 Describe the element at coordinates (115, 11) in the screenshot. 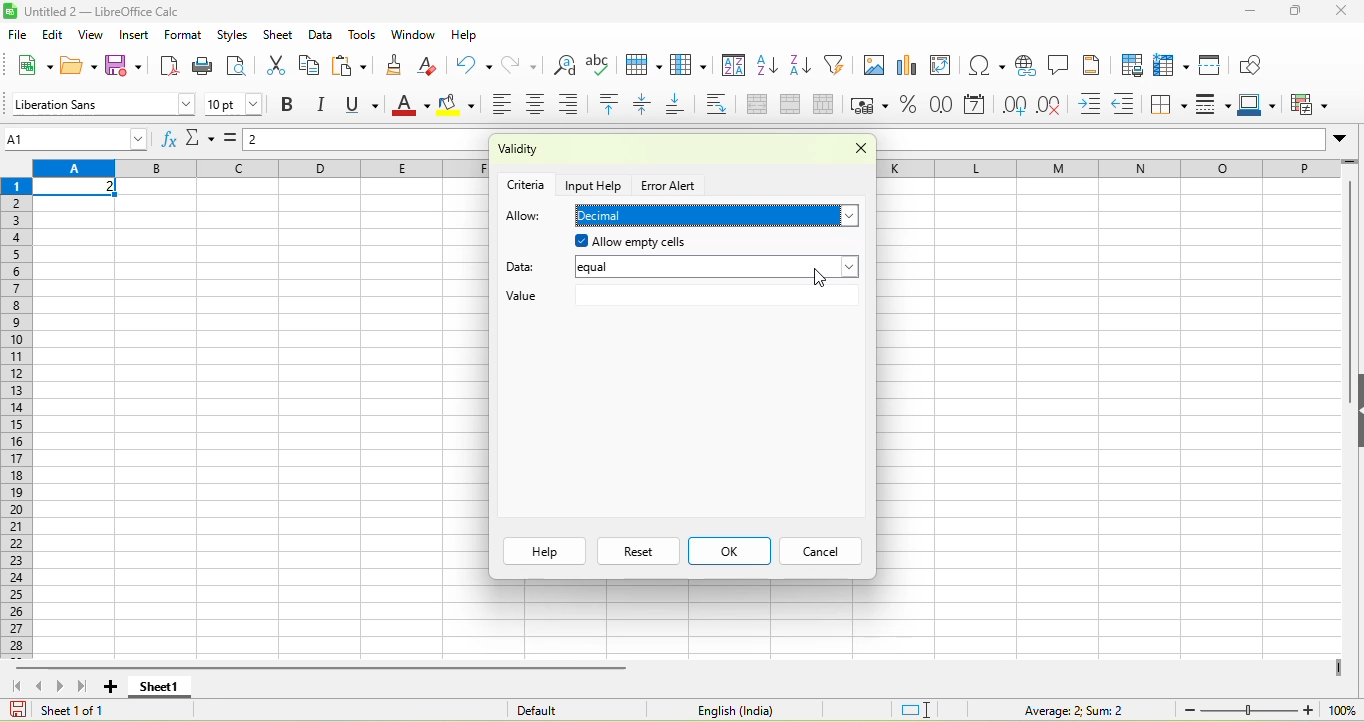

I see `untiteld2- libreoffice calc` at that location.